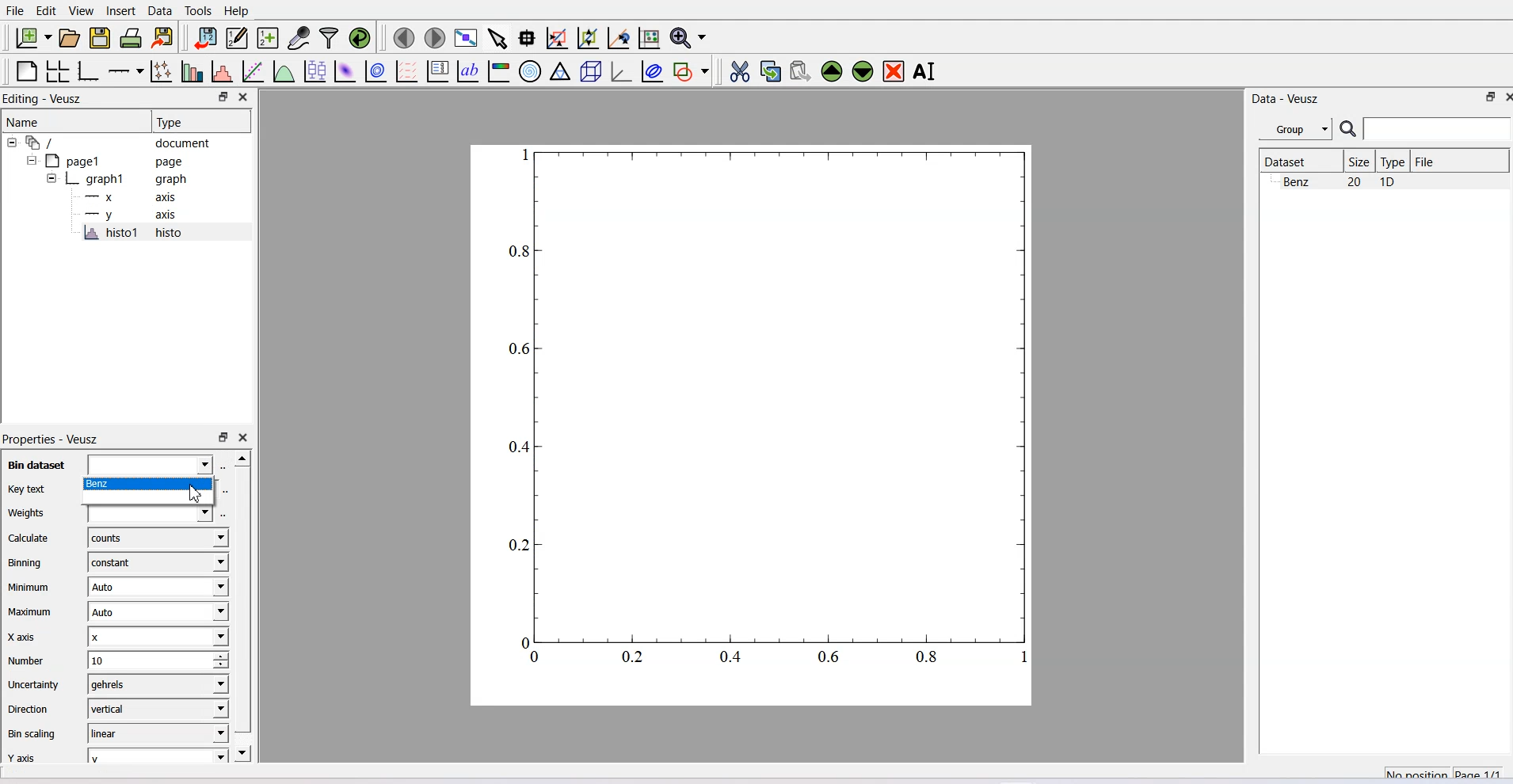 Image resolution: width=1513 pixels, height=784 pixels. I want to click on Close, so click(1493, 97).